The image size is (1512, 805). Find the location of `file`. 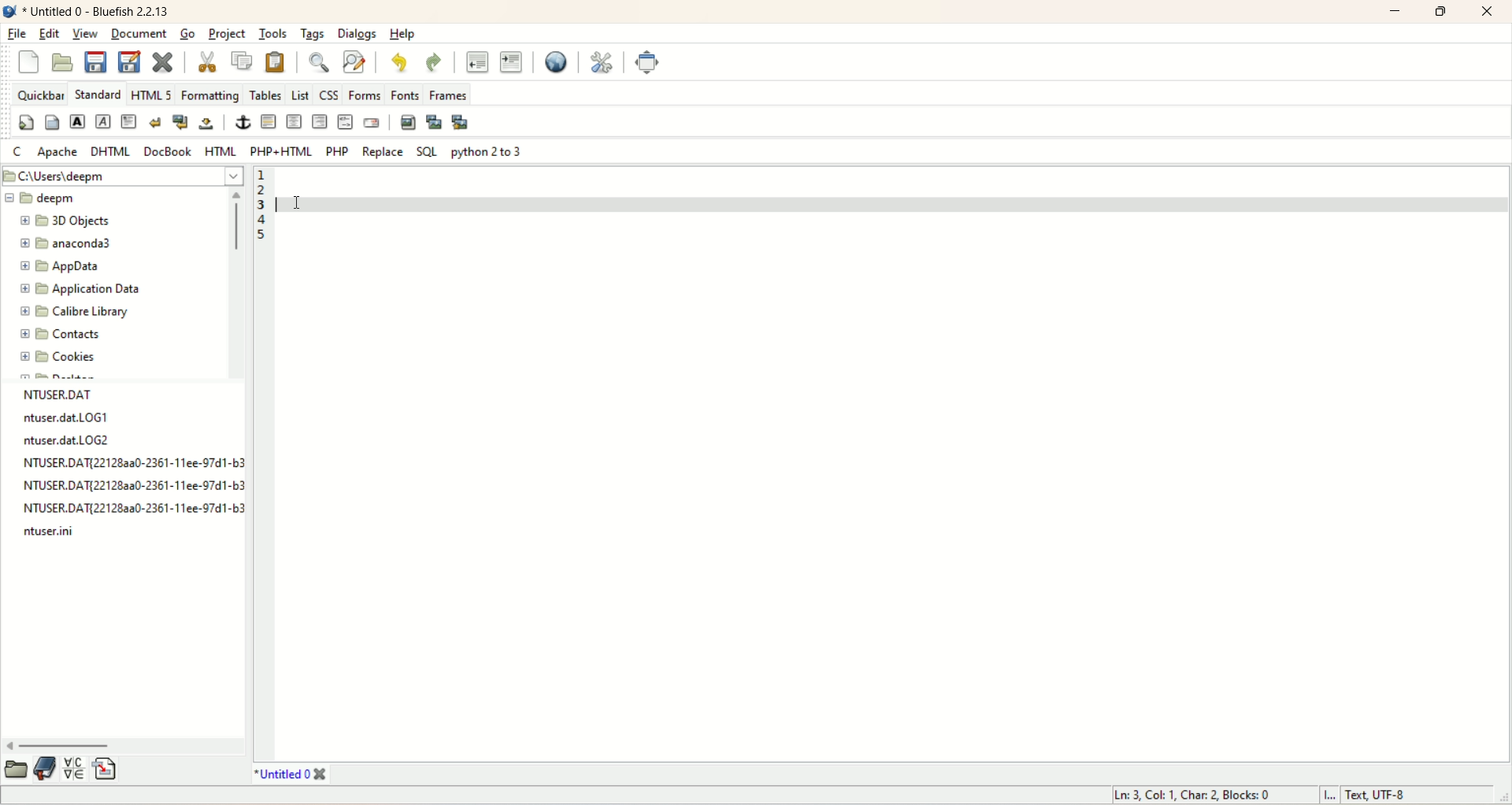

file is located at coordinates (18, 35).